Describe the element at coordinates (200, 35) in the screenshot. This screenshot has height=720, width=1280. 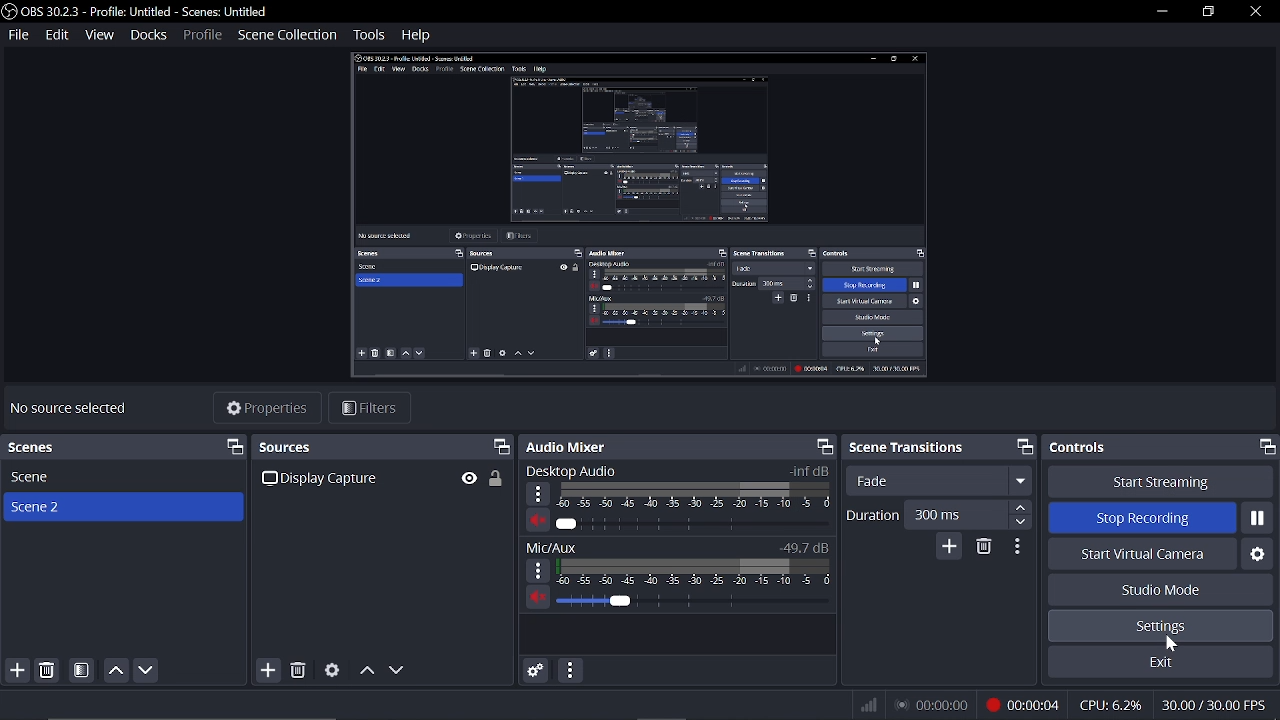
I see `profile` at that location.